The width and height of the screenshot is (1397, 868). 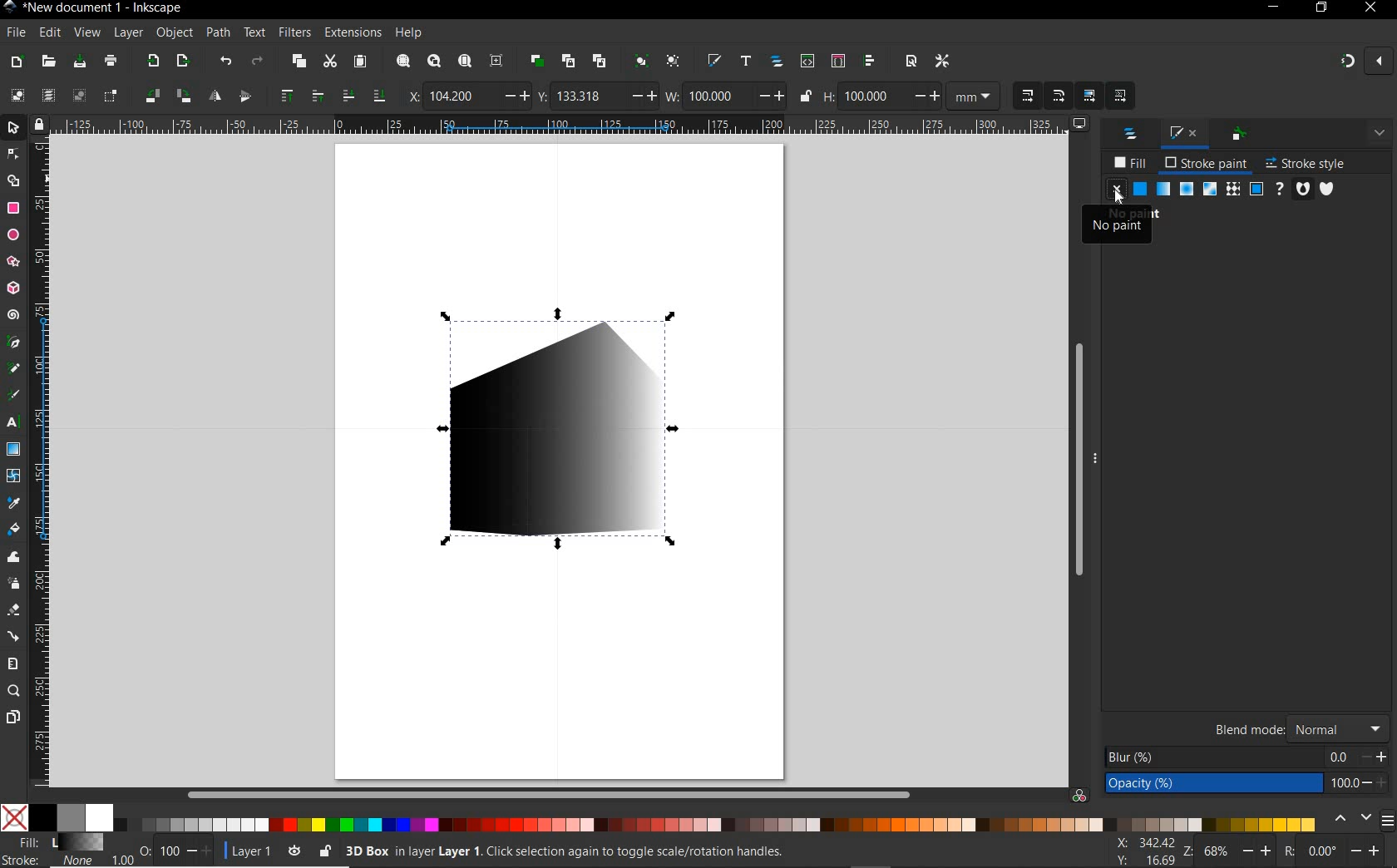 What do you see at coordinates (971, 95) in the screenshot?
I see `MEASUREMENT` at bounding box center [971, 95].